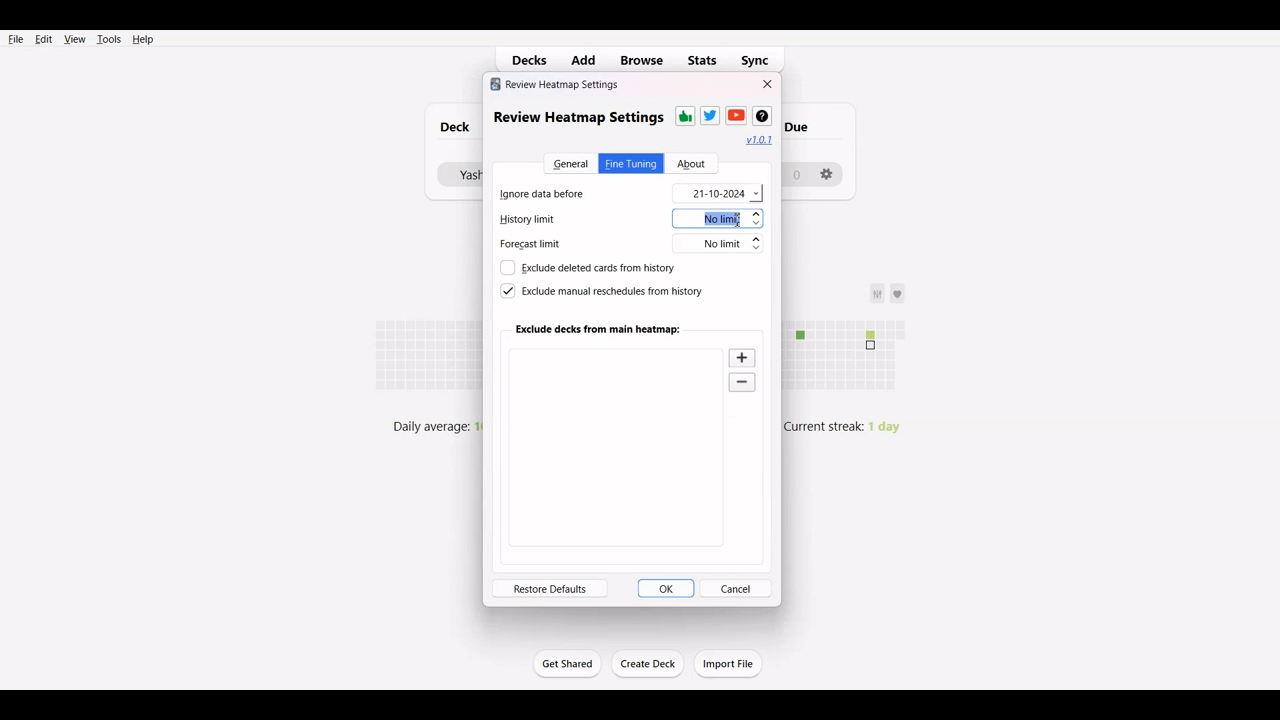 The image size is (1280, 720). I want to click on Sync, so click(762, 58).